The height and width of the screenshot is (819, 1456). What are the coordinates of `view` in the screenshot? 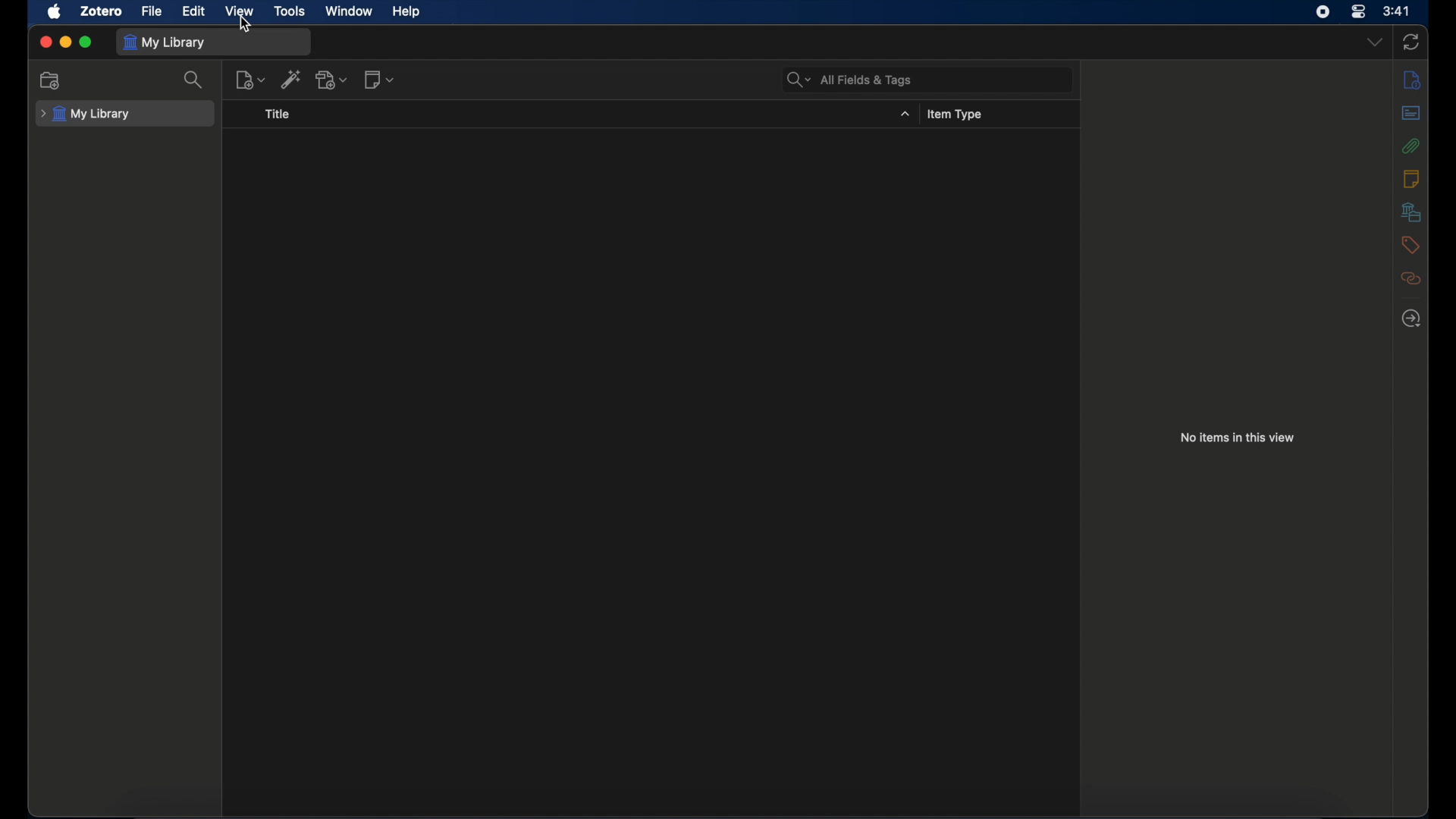 It's located at (240, 11).